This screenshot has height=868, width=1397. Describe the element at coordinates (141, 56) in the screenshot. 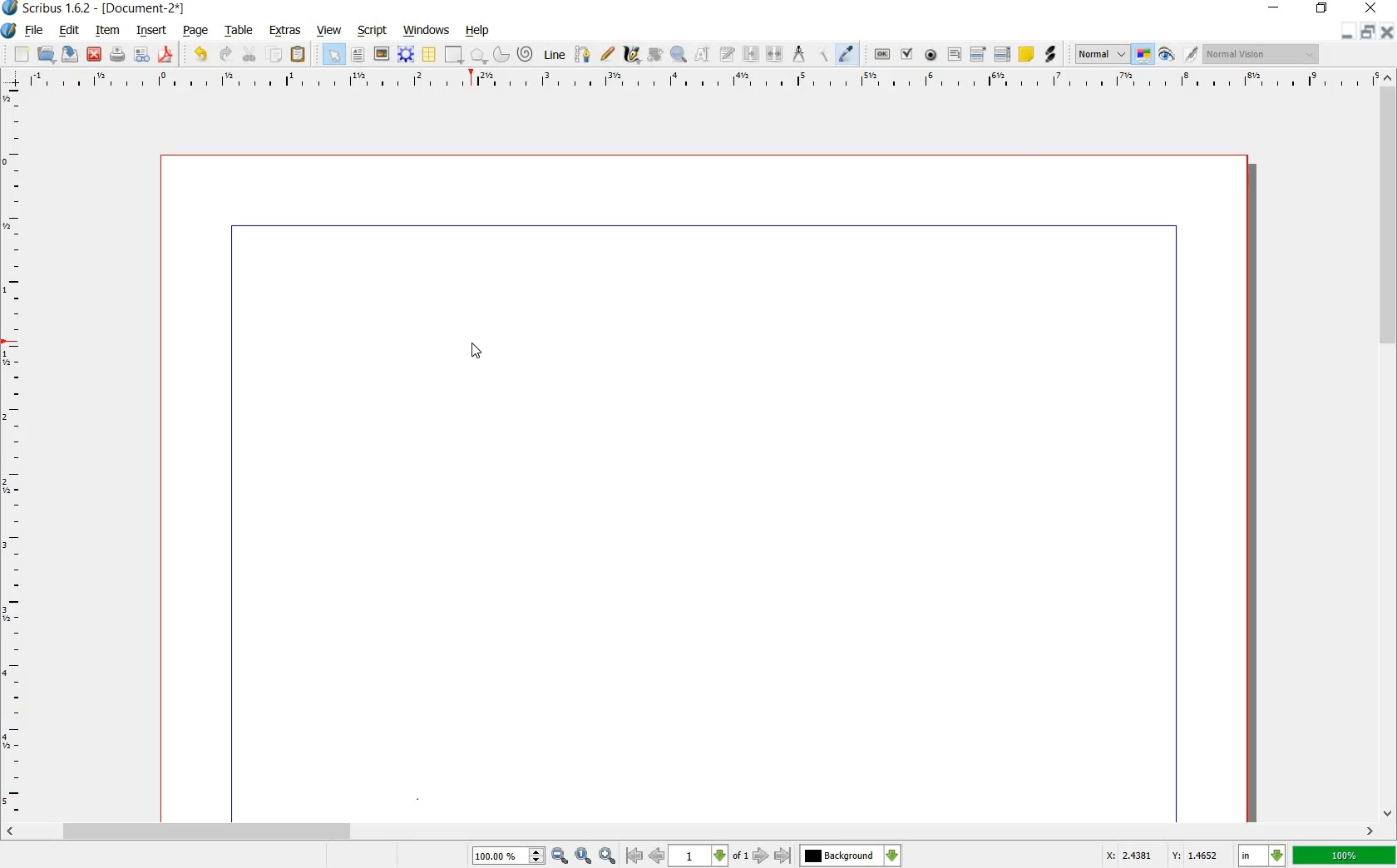

I see `PRFELIGHT VERIFIER` at that location.